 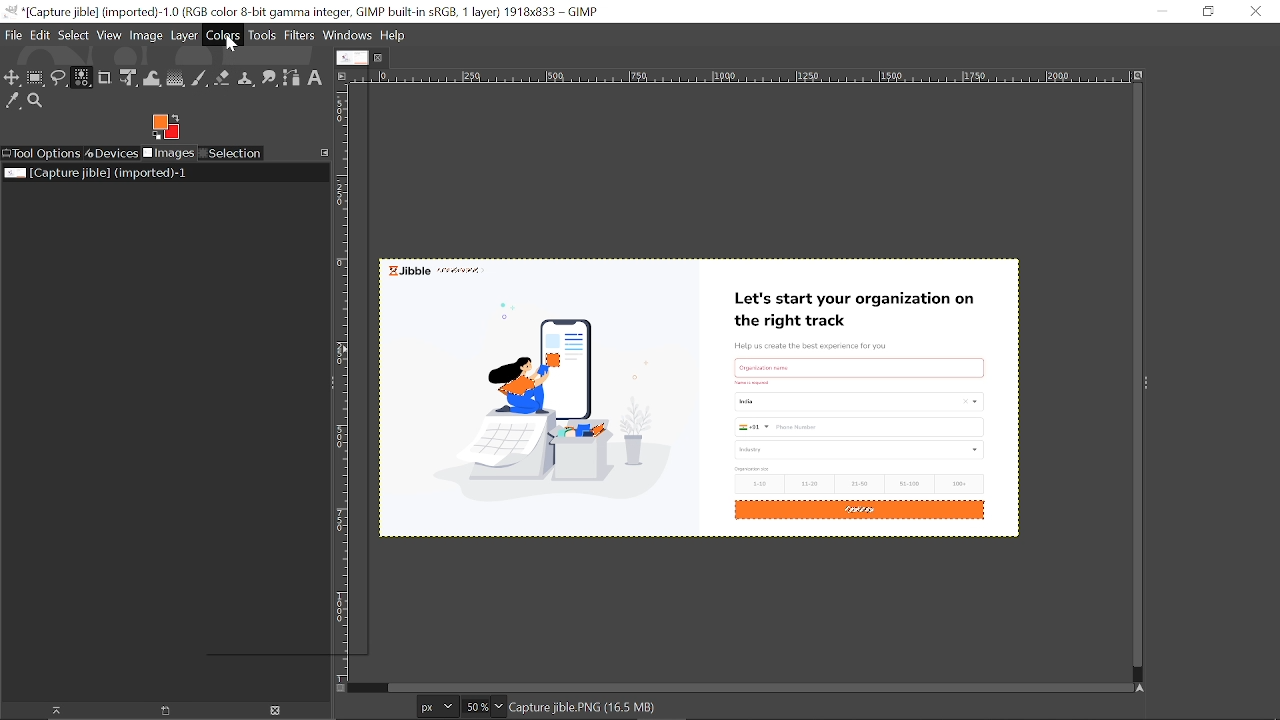 What do you see at coordinates (353, 58) in the screenshot?
I see `Current tab` at bounding box center [353, 58].